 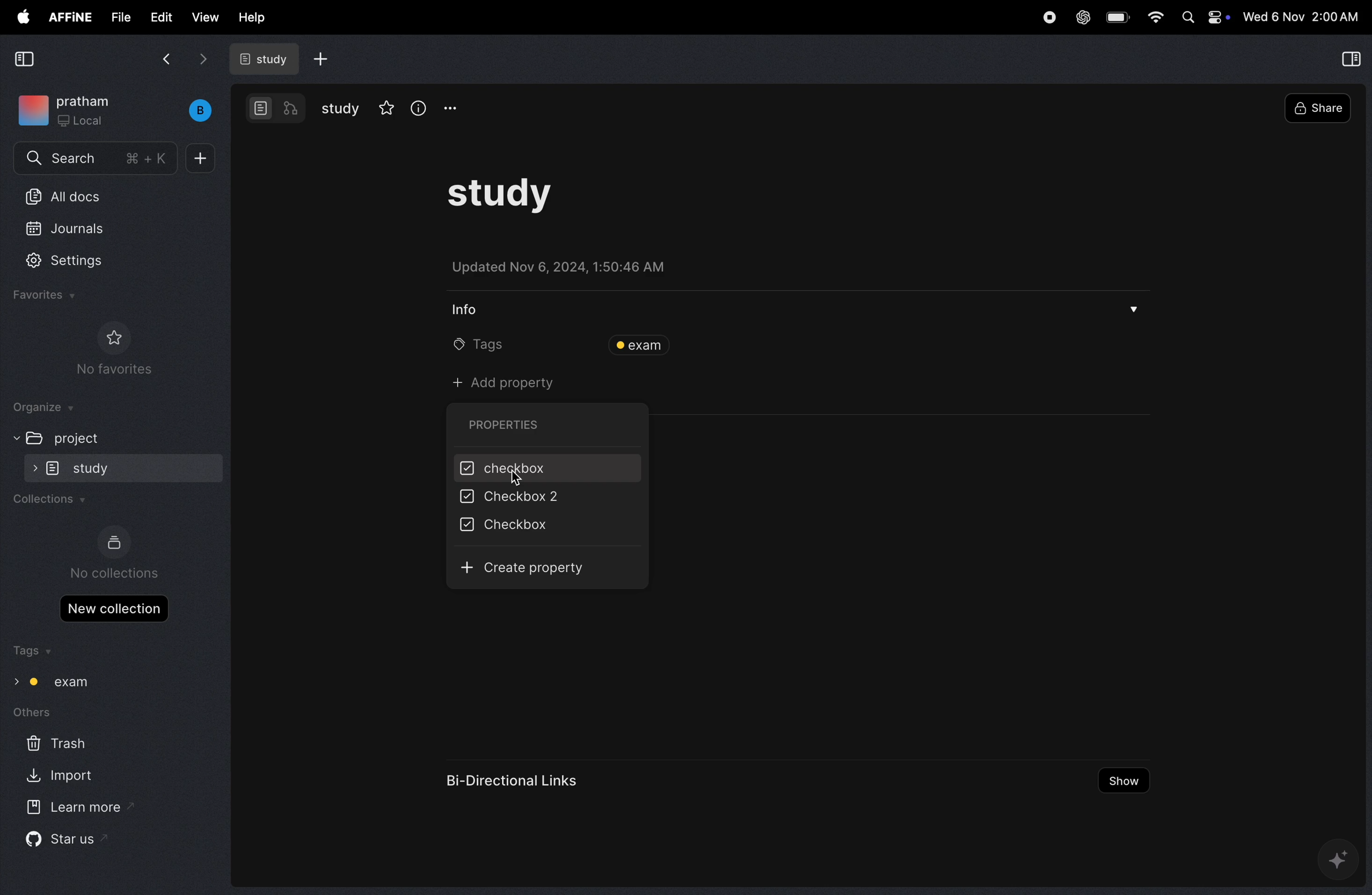 I want to click on show, so click(x=1124, y=781).